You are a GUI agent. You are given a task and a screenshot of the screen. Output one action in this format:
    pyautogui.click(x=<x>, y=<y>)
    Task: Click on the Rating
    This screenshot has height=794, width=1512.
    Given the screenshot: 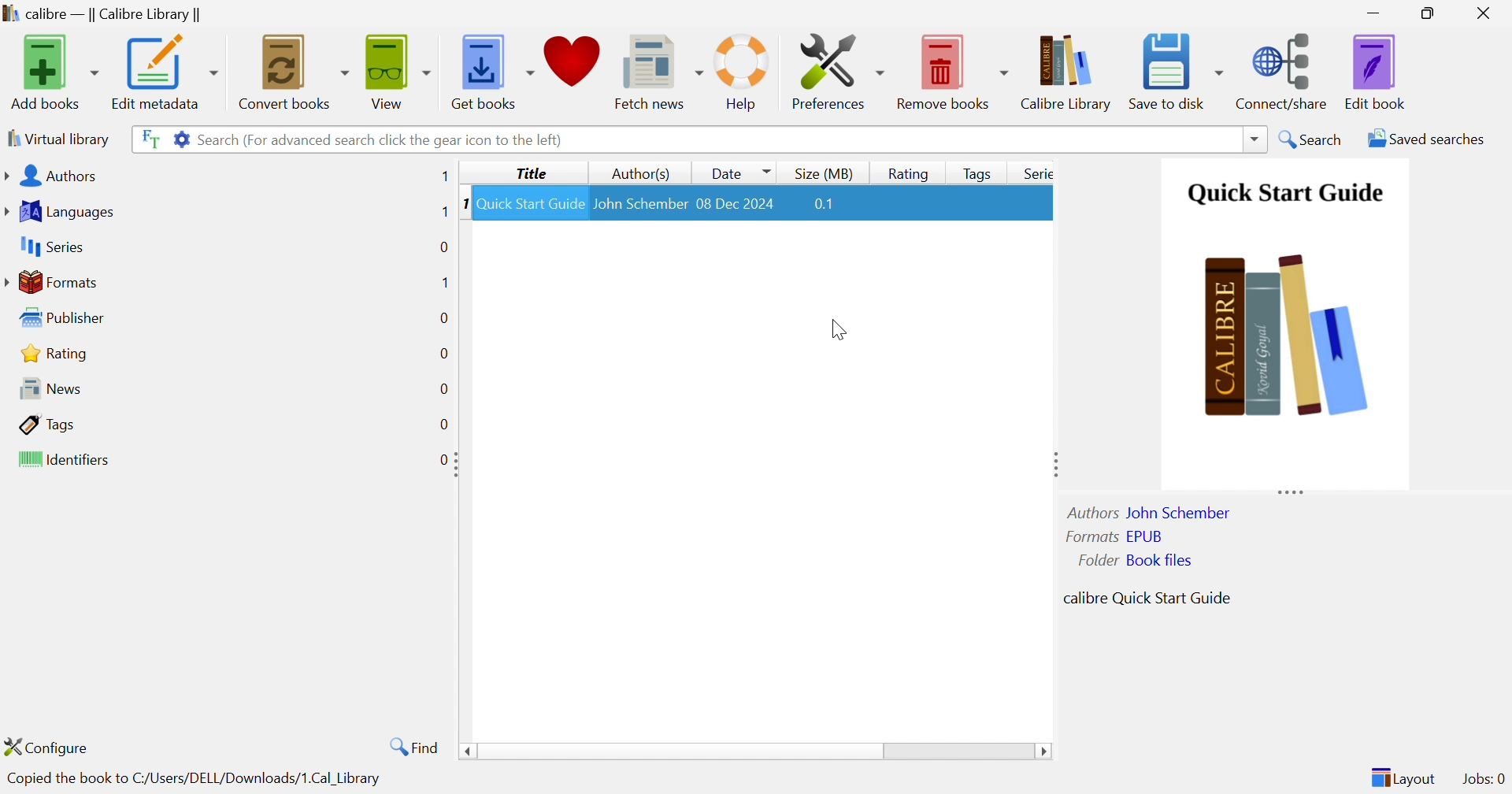 What is the action you would take?
    pyautogui.click(x=51, y=353)
    